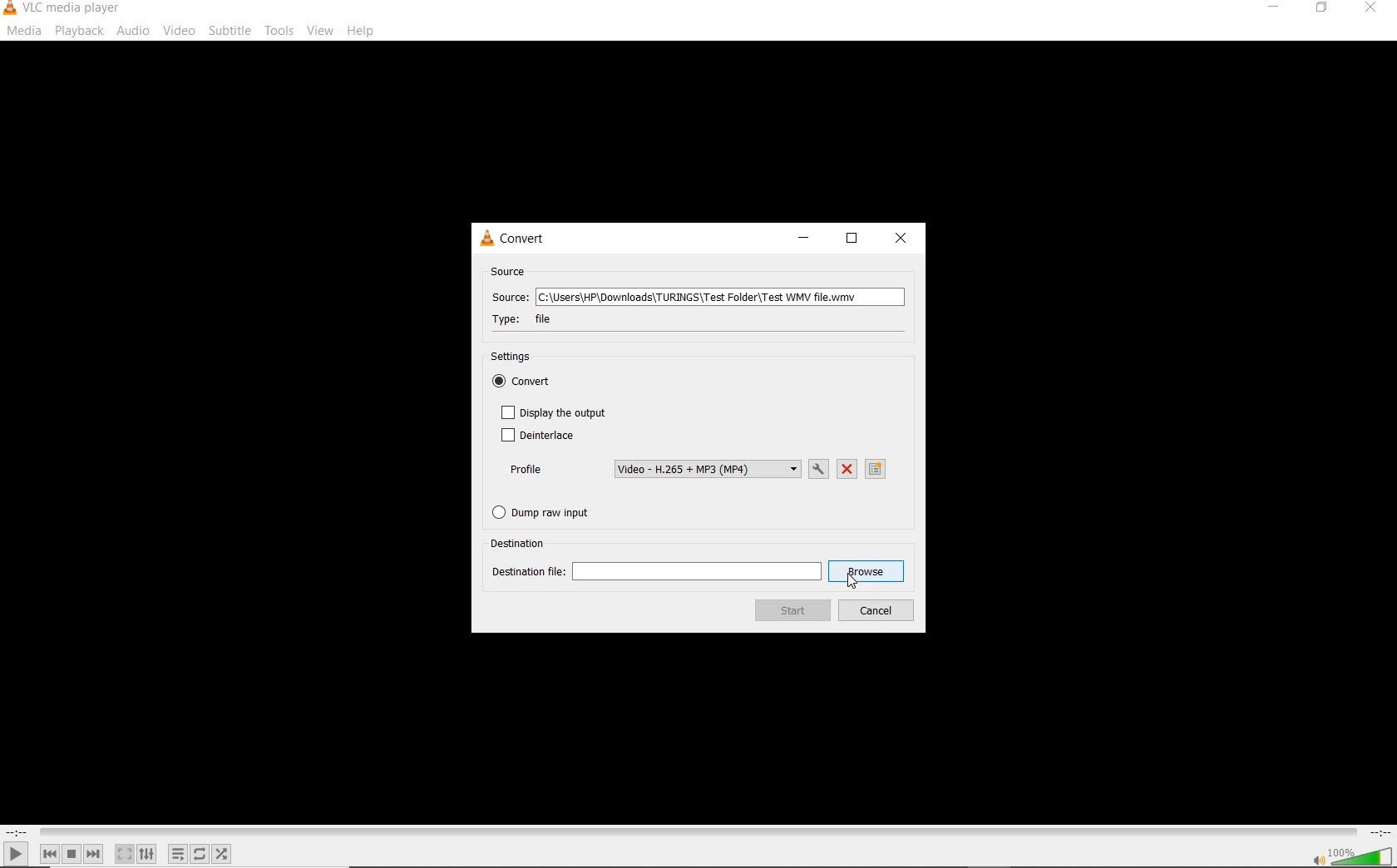  I want to click on dump raw input, so click(547, 512).